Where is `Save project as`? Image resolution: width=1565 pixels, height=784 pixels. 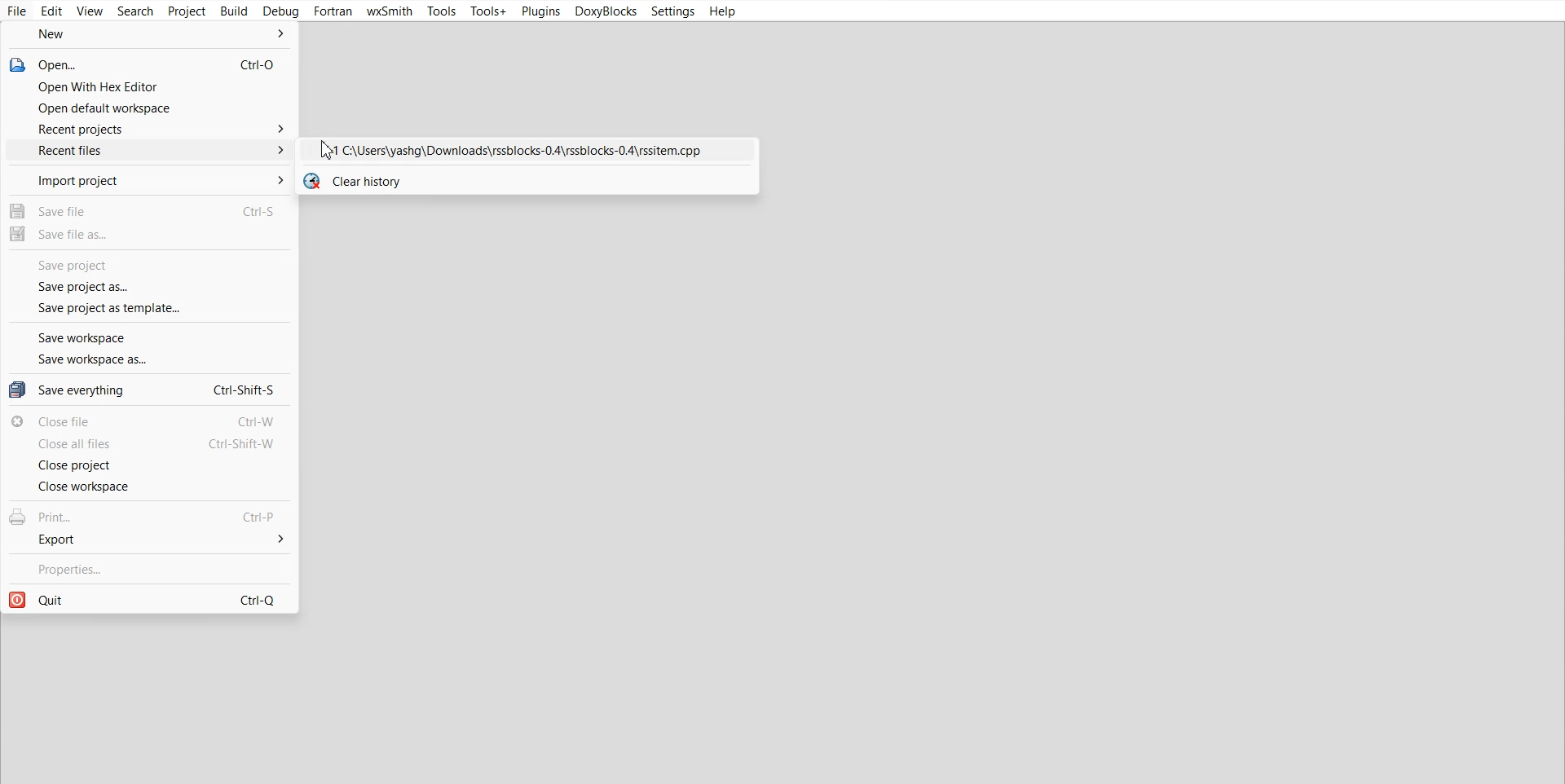 Save project as is located at coordinates (150, 287).